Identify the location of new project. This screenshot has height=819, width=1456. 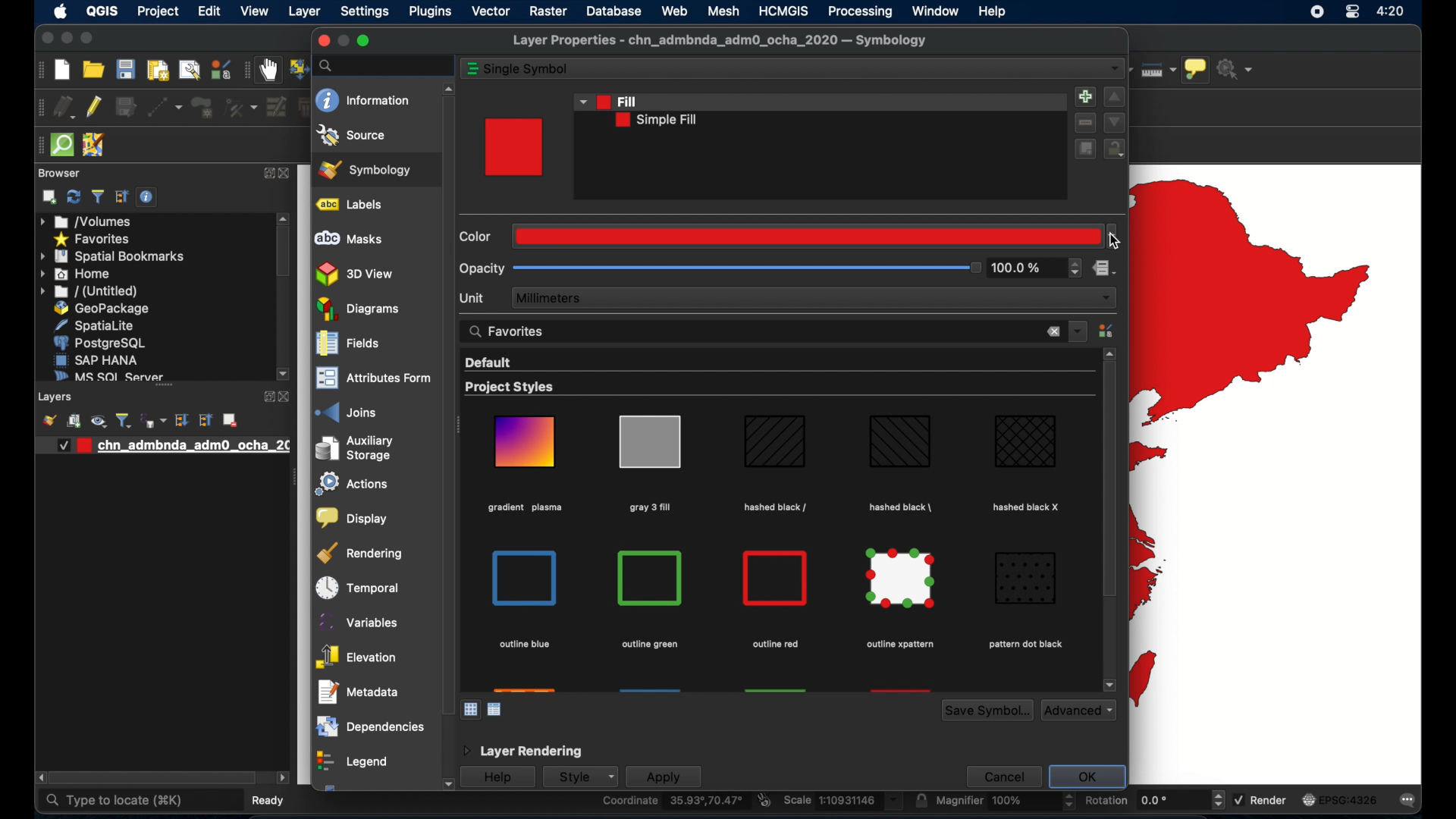
(63, 70).